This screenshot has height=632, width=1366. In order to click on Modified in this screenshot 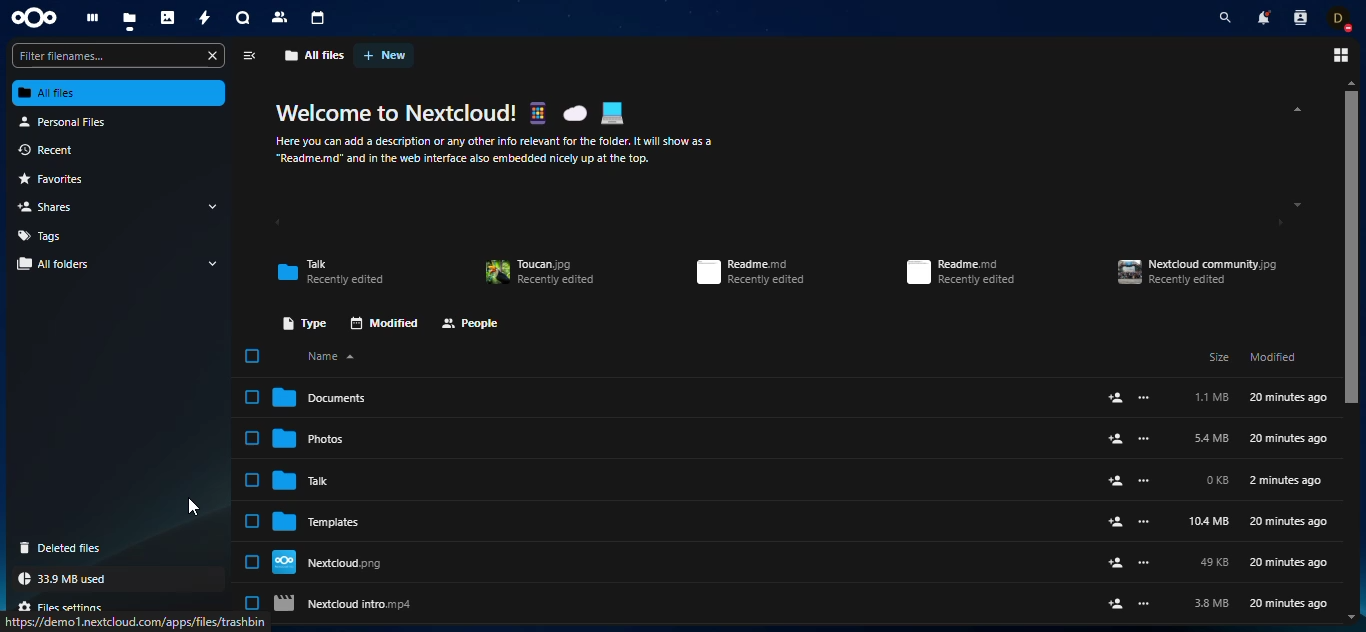, I will do `click(382, 322)`.